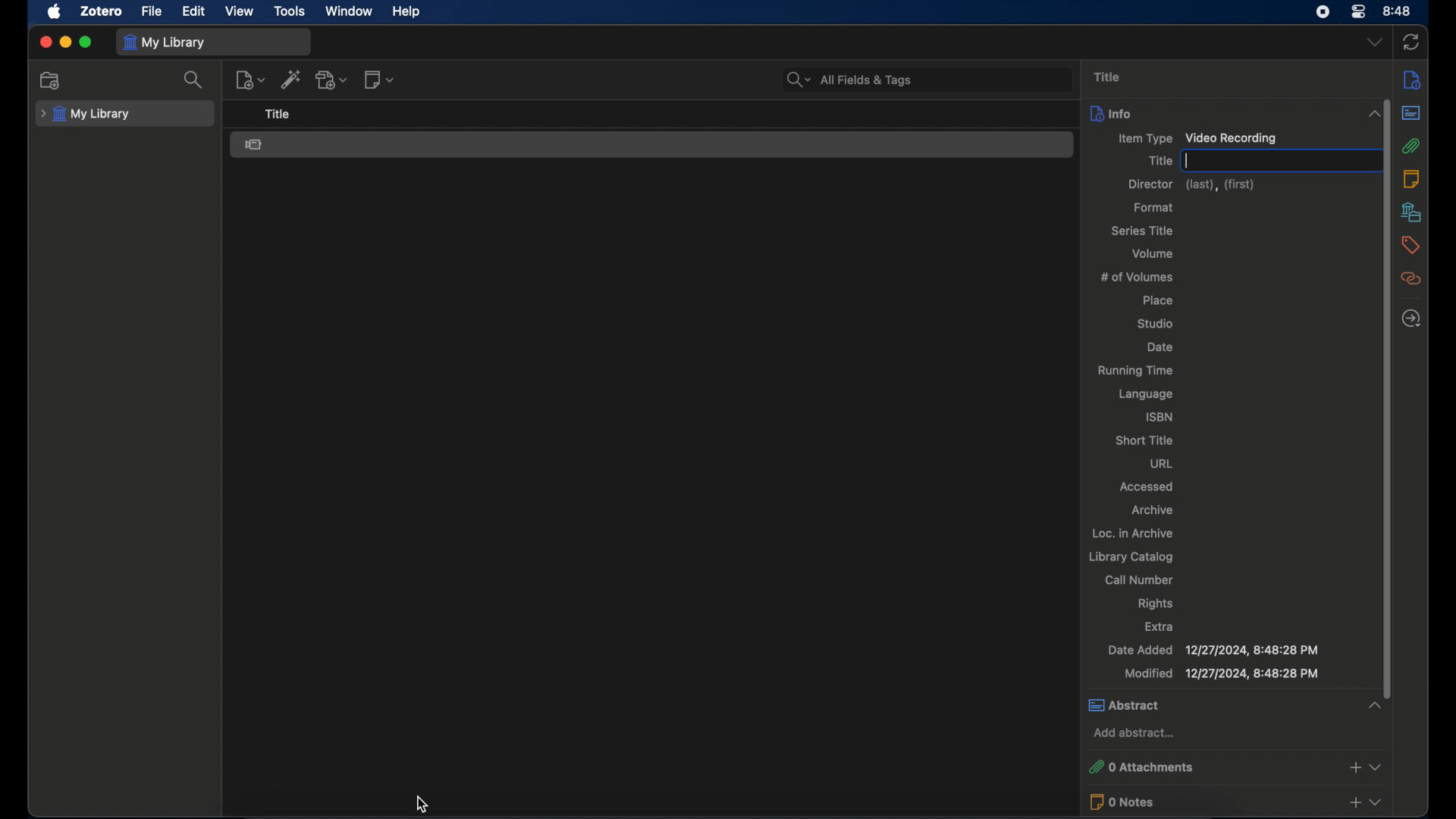  I want to click on add abstract, so click(1134, 733).